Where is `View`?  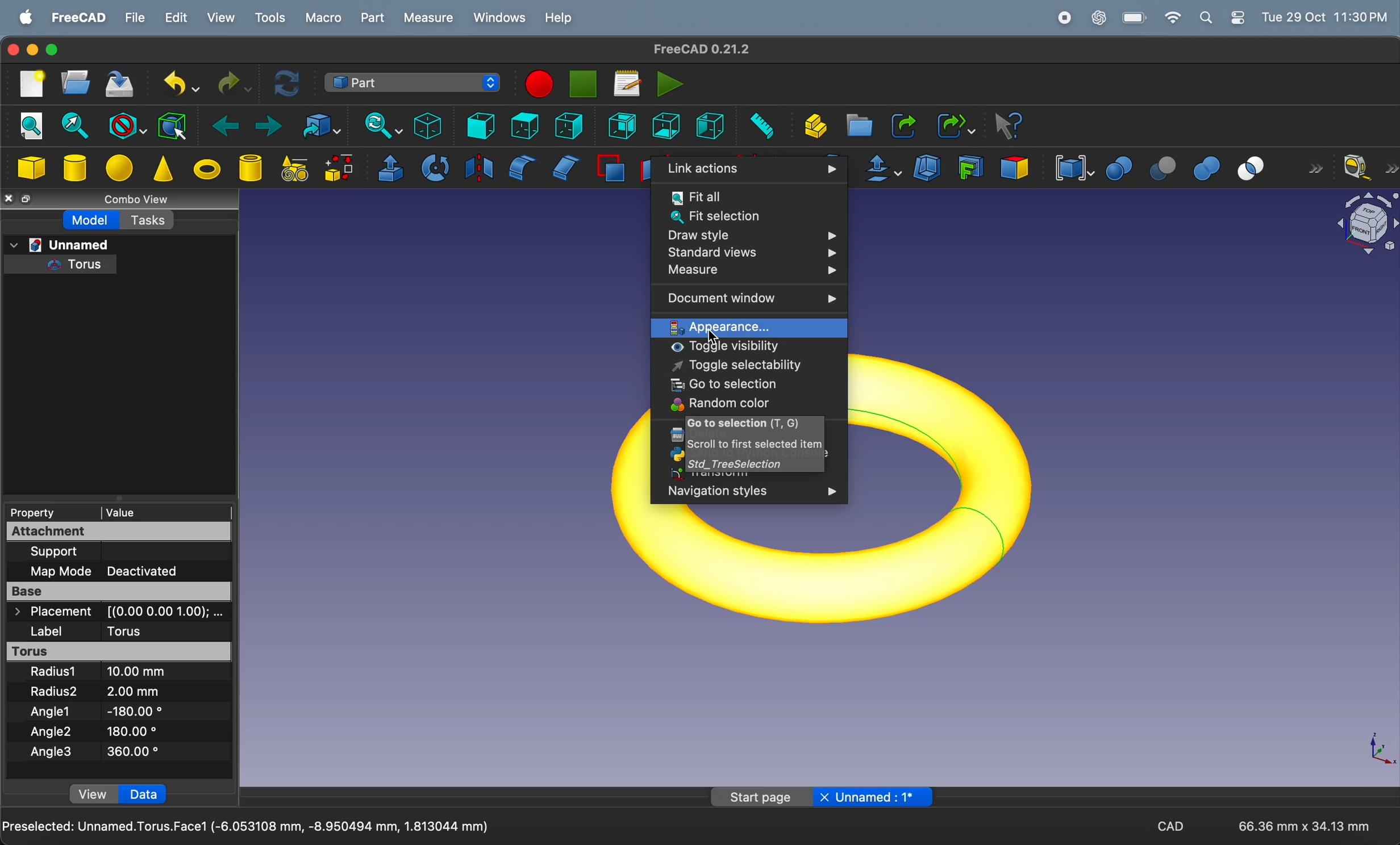 View is located at coordinates (94, 793).